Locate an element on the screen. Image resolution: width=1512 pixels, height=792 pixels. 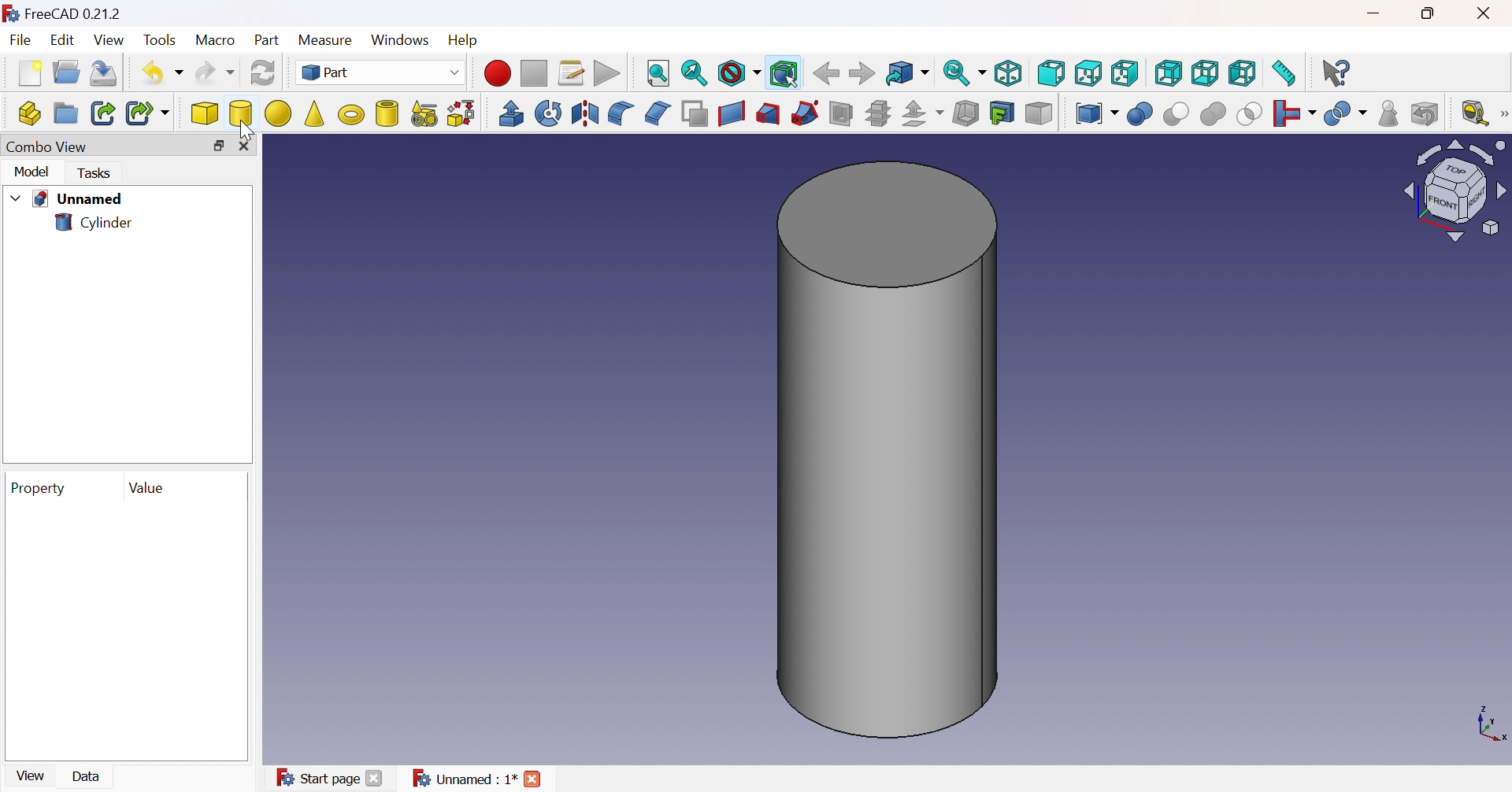
Section is located at coordinates (844, 114).